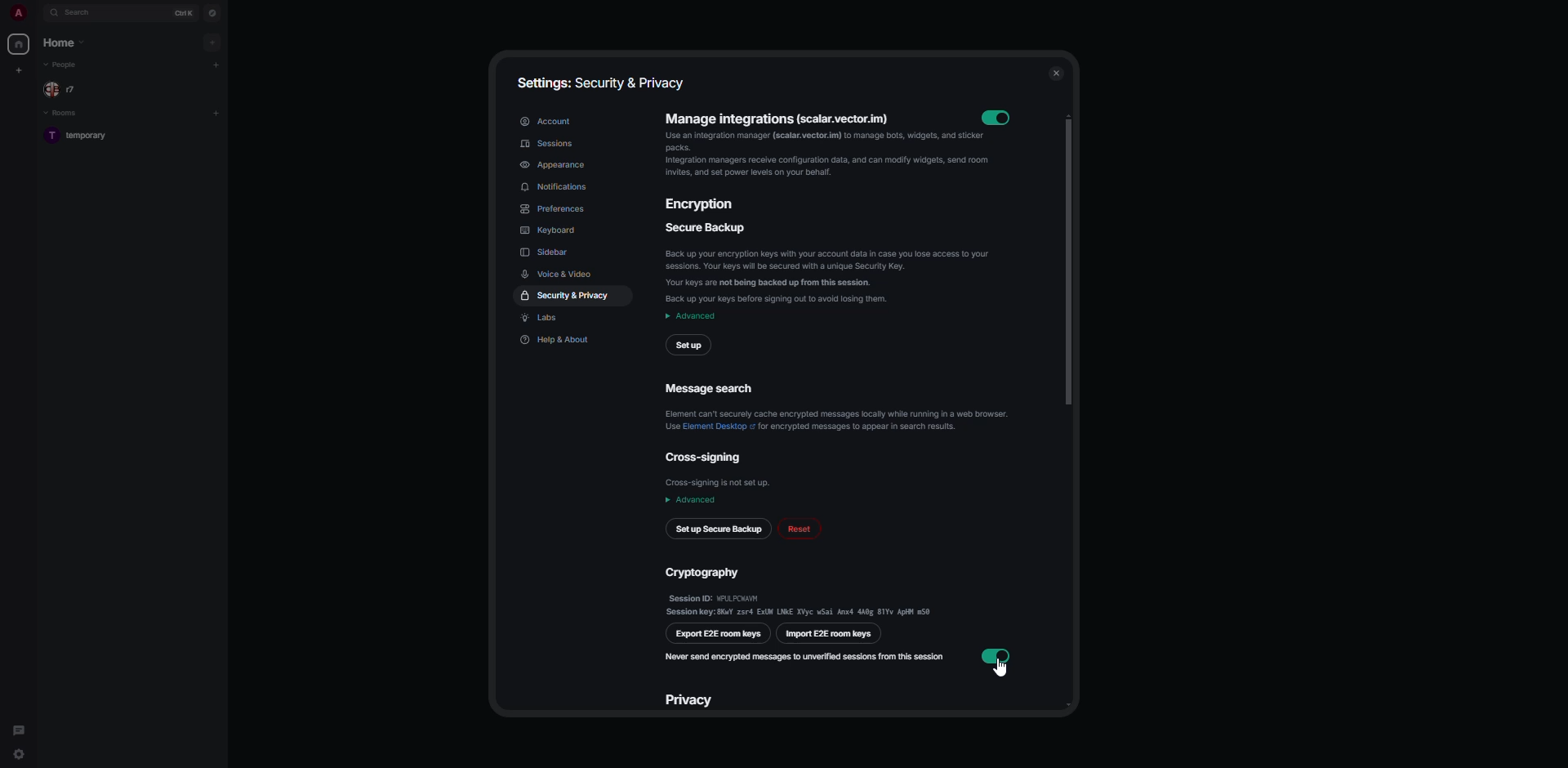 The height and width of the screenshot is (768, 1568). Describe the element at coordinates (555, 208) in the screenshot. I see `preferences` at that location.